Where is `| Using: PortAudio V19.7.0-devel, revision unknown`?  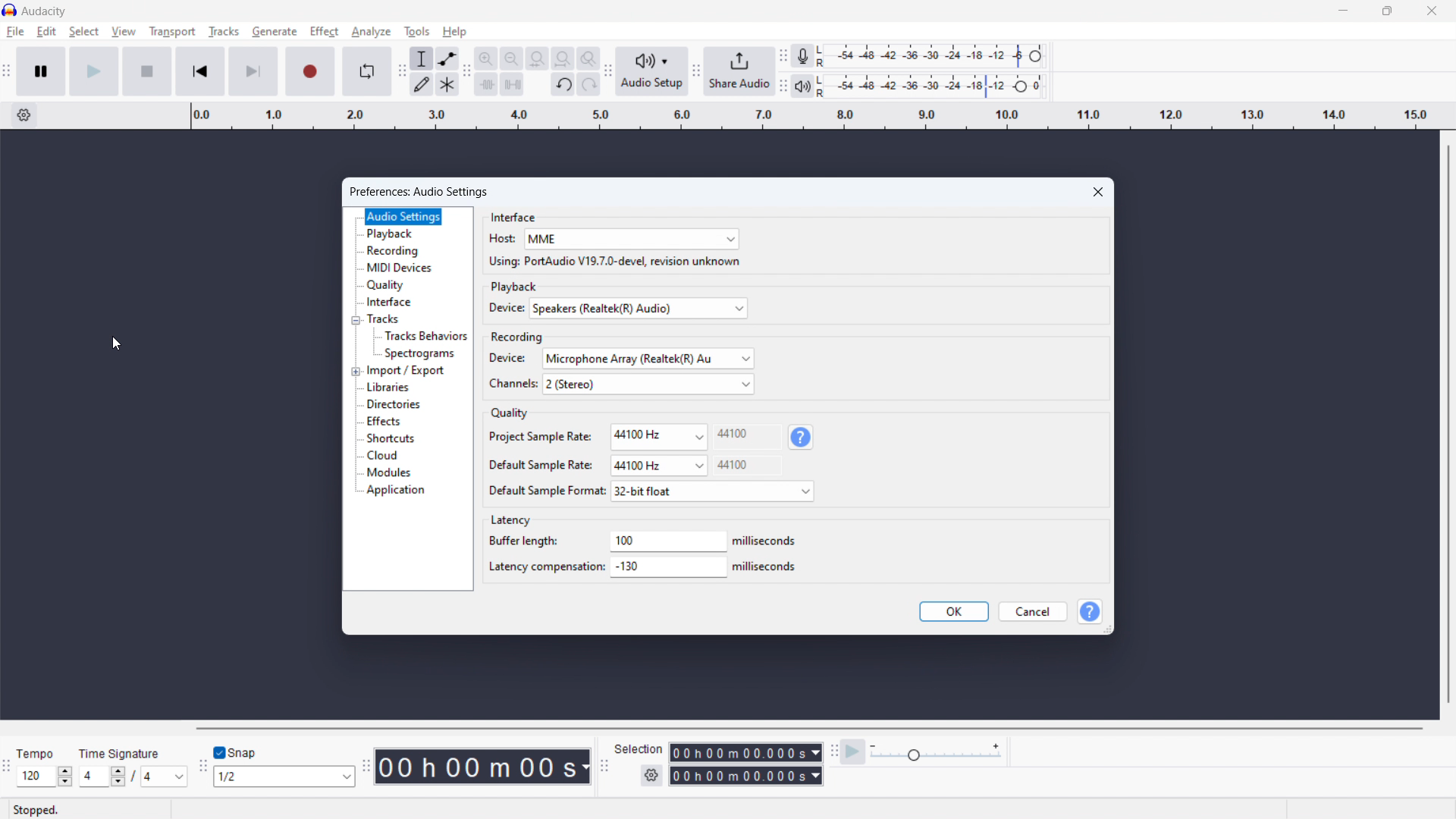 | Using: PortAudio V19.7.0-devel, revision unknown is located at coordinates (613, 263).